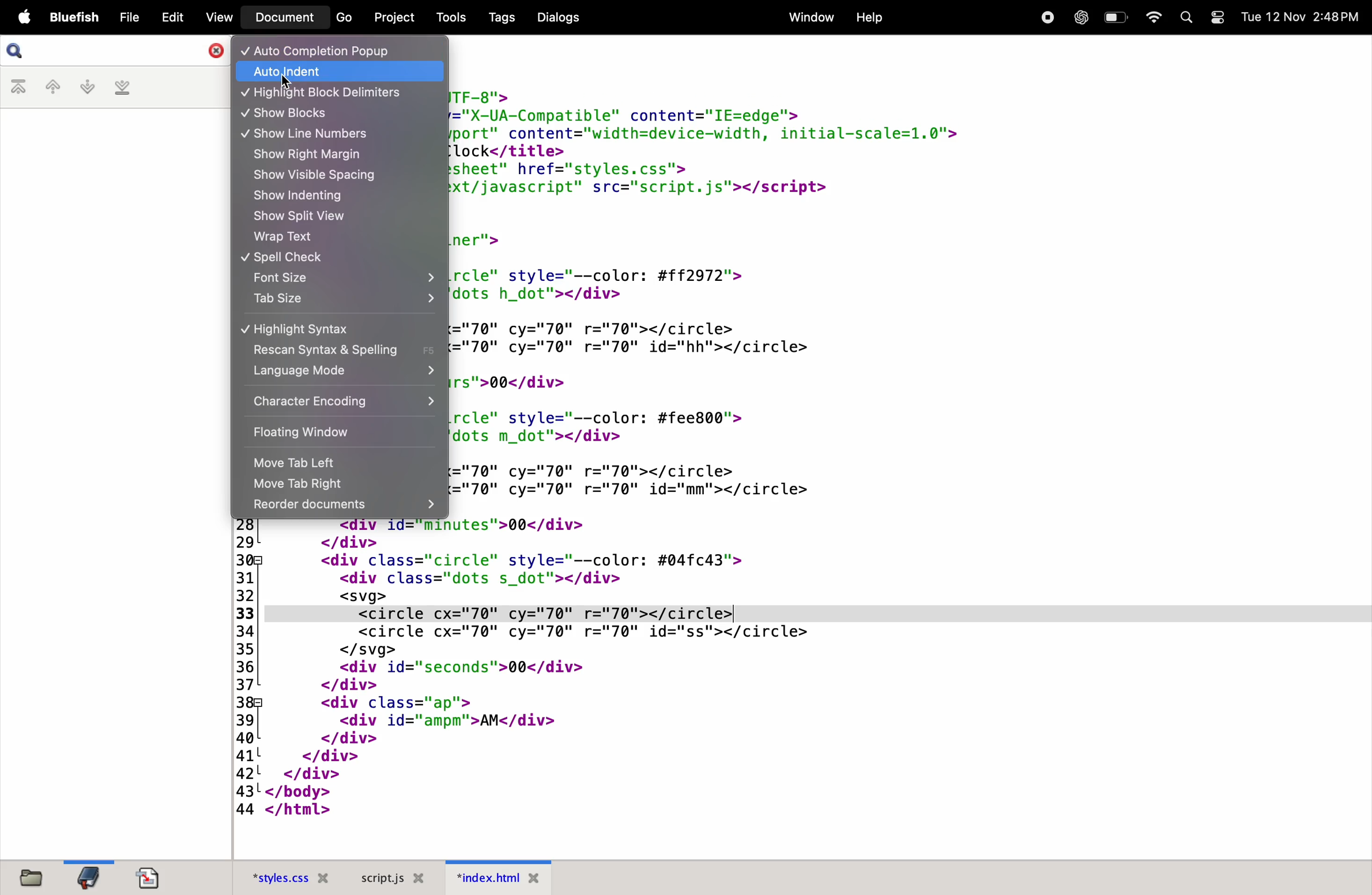 Image resolution: width=1372 pixels, height=895 pixels. Describe the element at coordinates (559, 18) in the screenshot. I see `dialogs` at that location.